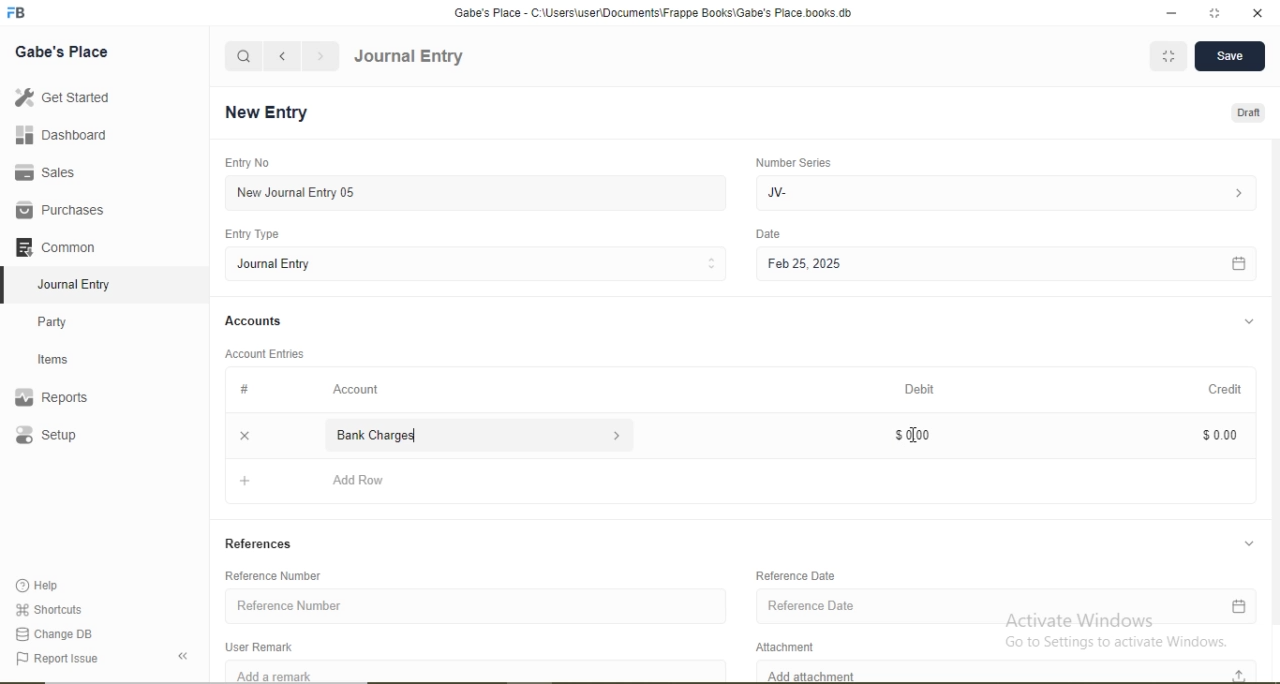 This screenshot has height=684, width=1280. What do you see at coordinates (1212, 13) in the screenshot?
I see `resize` at bounding box center [1212, 13].